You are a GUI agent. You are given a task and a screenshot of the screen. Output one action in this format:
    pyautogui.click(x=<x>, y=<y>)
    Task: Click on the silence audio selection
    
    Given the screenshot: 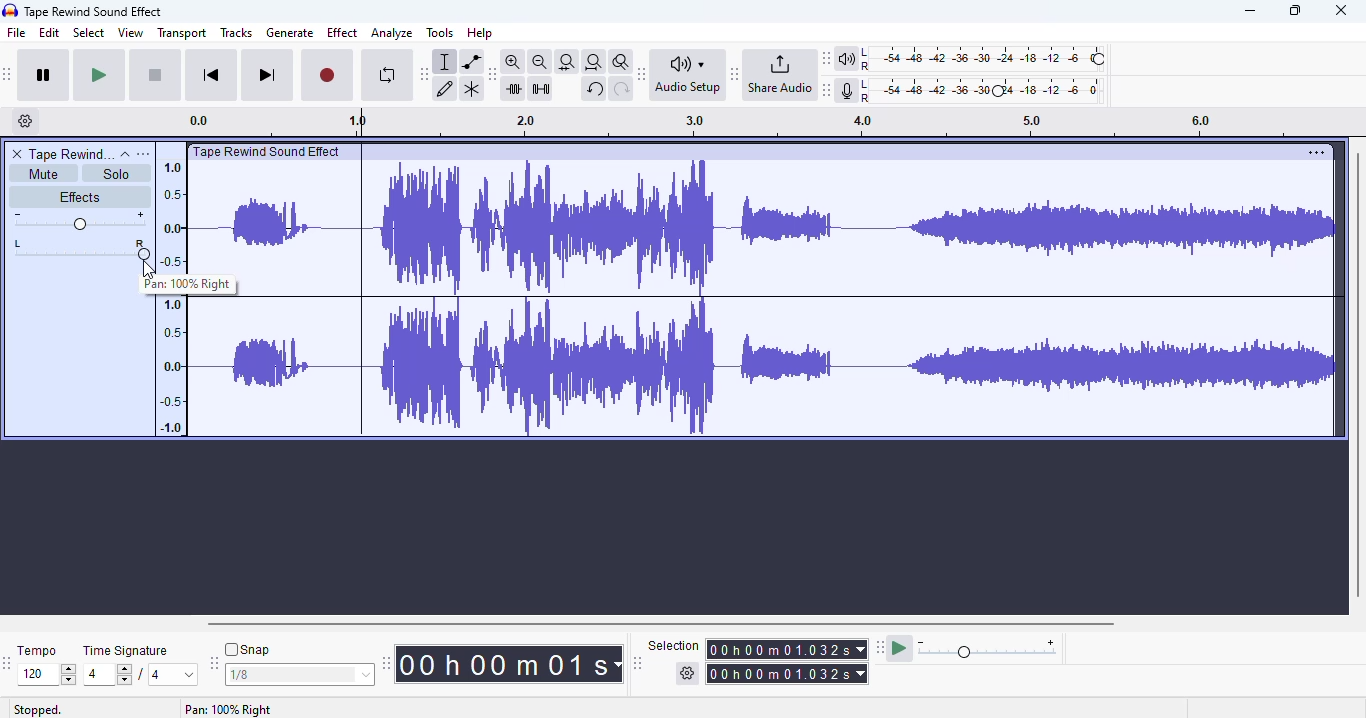 What is the action you would take?
    pyautogui.click(x=541, y=89)
    